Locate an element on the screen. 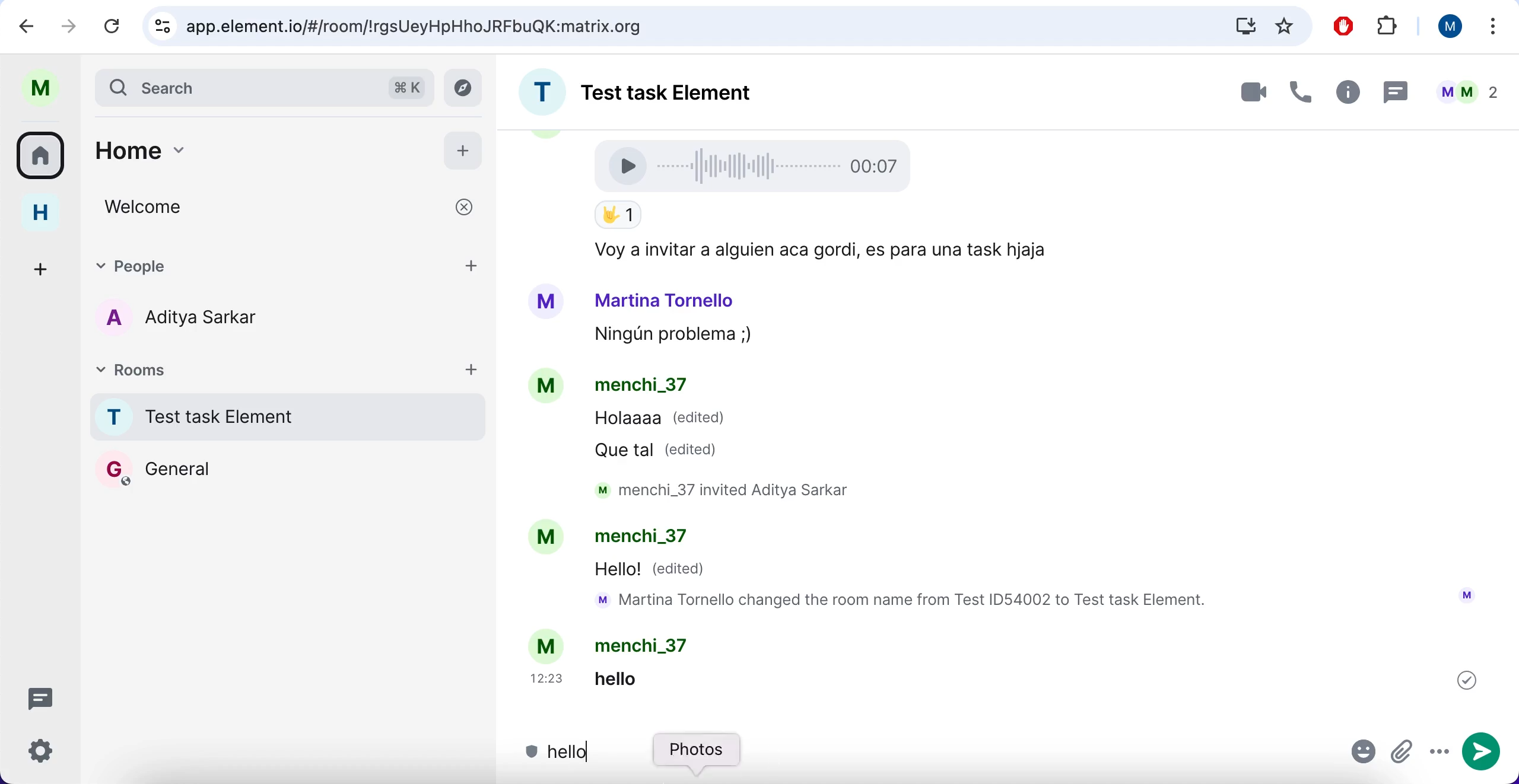 The height and width of the screenshot is (784, 1519). people is located at coordinates (253, 264).